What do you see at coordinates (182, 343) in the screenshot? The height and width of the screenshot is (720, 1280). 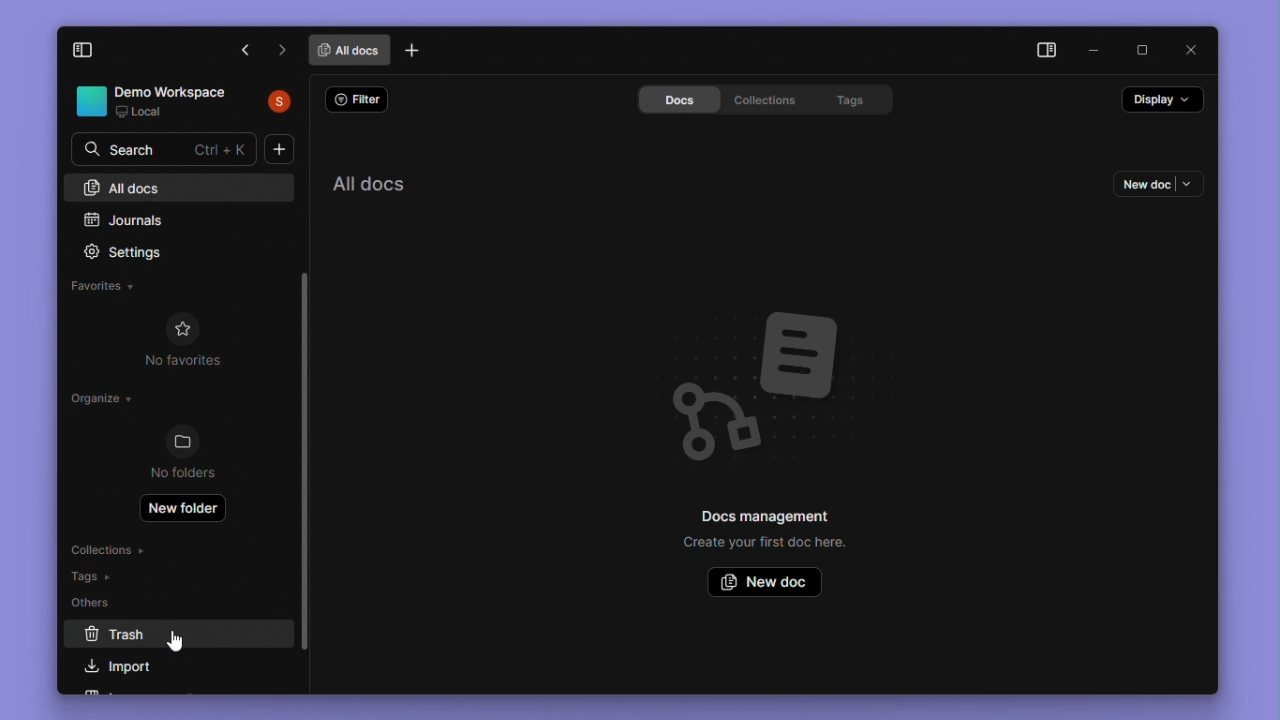 I see `No favourites` at bounding box center [182, 343].